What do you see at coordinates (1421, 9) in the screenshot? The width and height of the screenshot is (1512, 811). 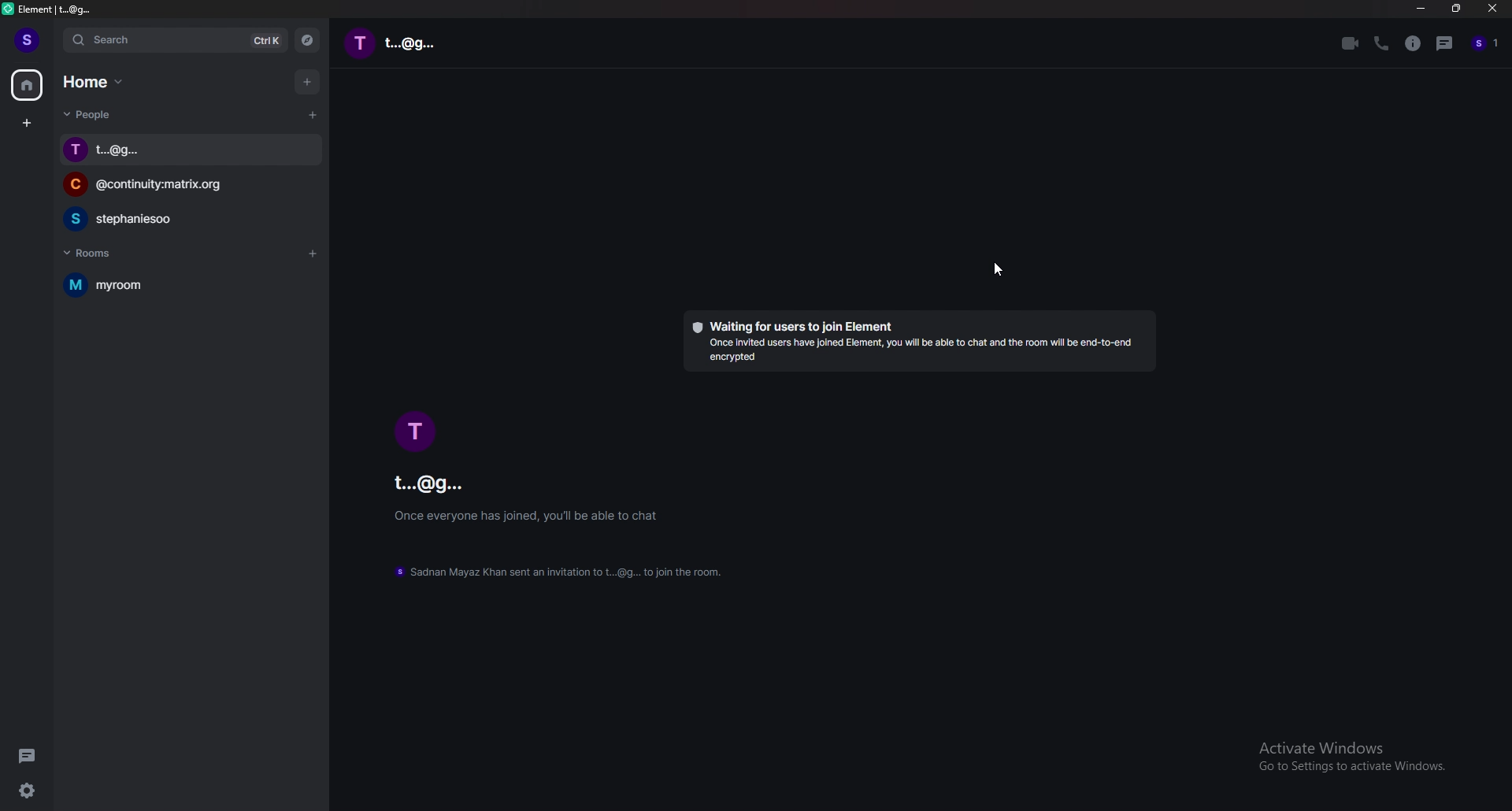 I see `minimize` at bounding box center [1421, 9].